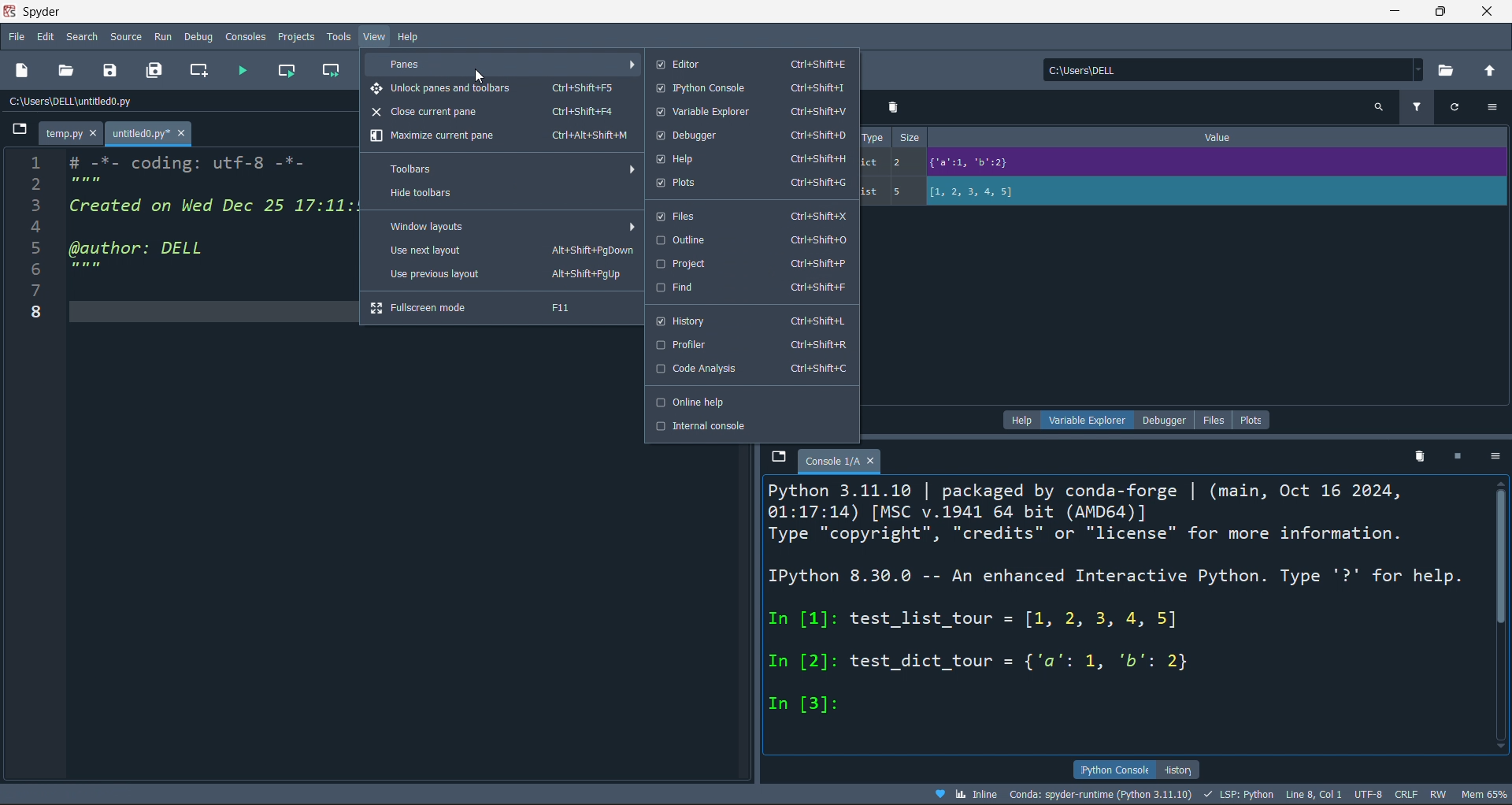 This screenshot has width=1512, height=805. Describe the element at coordinates (744, 401) in the screenshot. I see `online help` at that location.